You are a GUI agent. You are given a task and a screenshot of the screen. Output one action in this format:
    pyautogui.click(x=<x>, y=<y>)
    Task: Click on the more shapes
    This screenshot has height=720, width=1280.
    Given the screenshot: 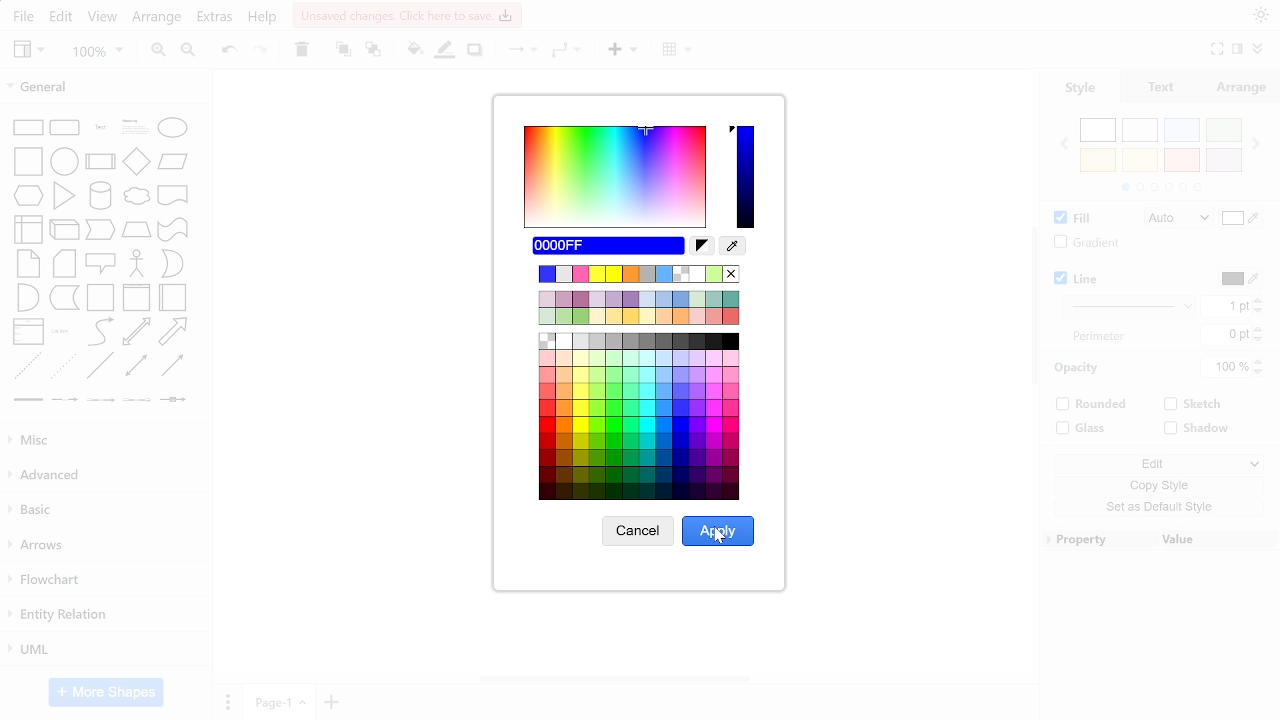 What is the action you would take?
    pyautogui.click(x=107, y=692)
    